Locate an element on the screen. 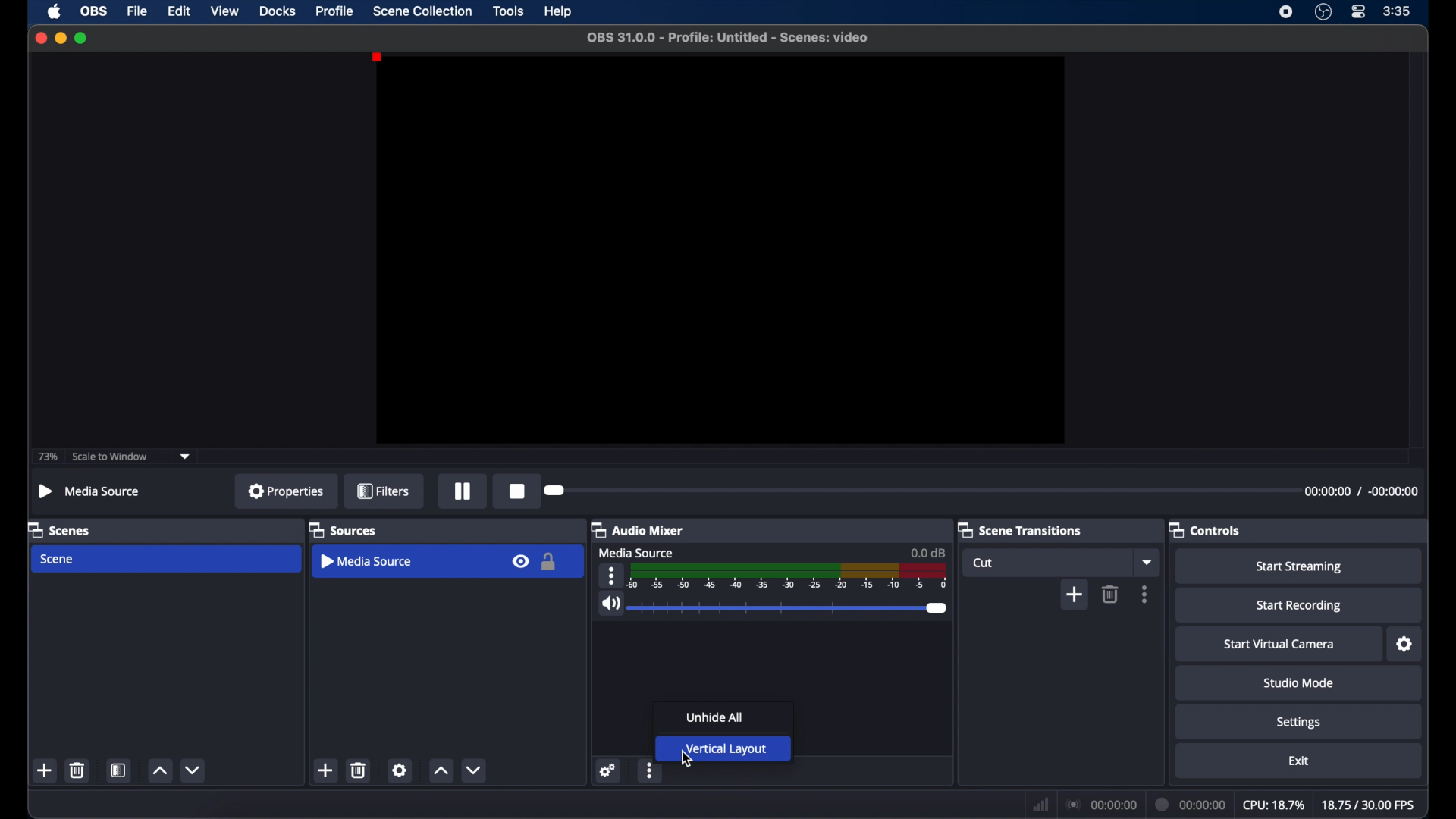 Image resolution: width=1456 pixels, height=819 pixels. timeline scale is located at coordinates (786, 576).